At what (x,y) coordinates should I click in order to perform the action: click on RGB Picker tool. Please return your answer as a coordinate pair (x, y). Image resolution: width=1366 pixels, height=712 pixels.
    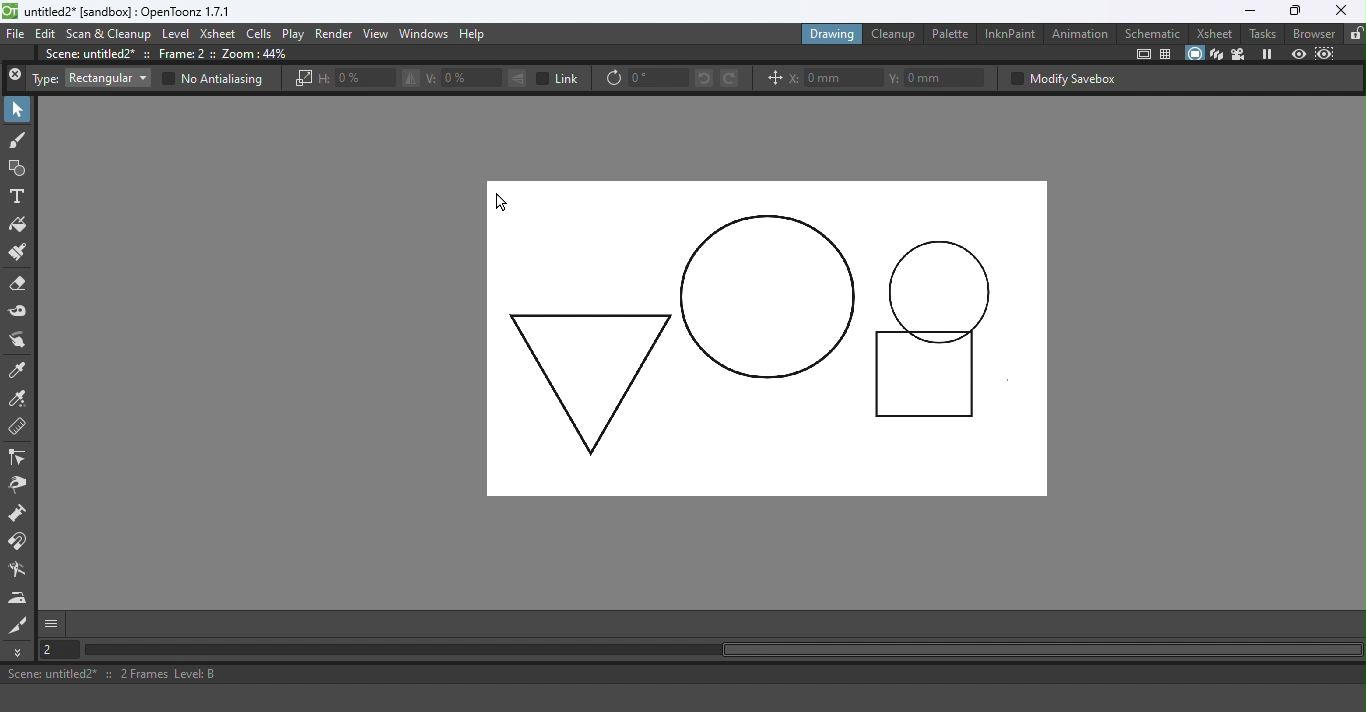
    Looking at the image, I should click on (19, 400).